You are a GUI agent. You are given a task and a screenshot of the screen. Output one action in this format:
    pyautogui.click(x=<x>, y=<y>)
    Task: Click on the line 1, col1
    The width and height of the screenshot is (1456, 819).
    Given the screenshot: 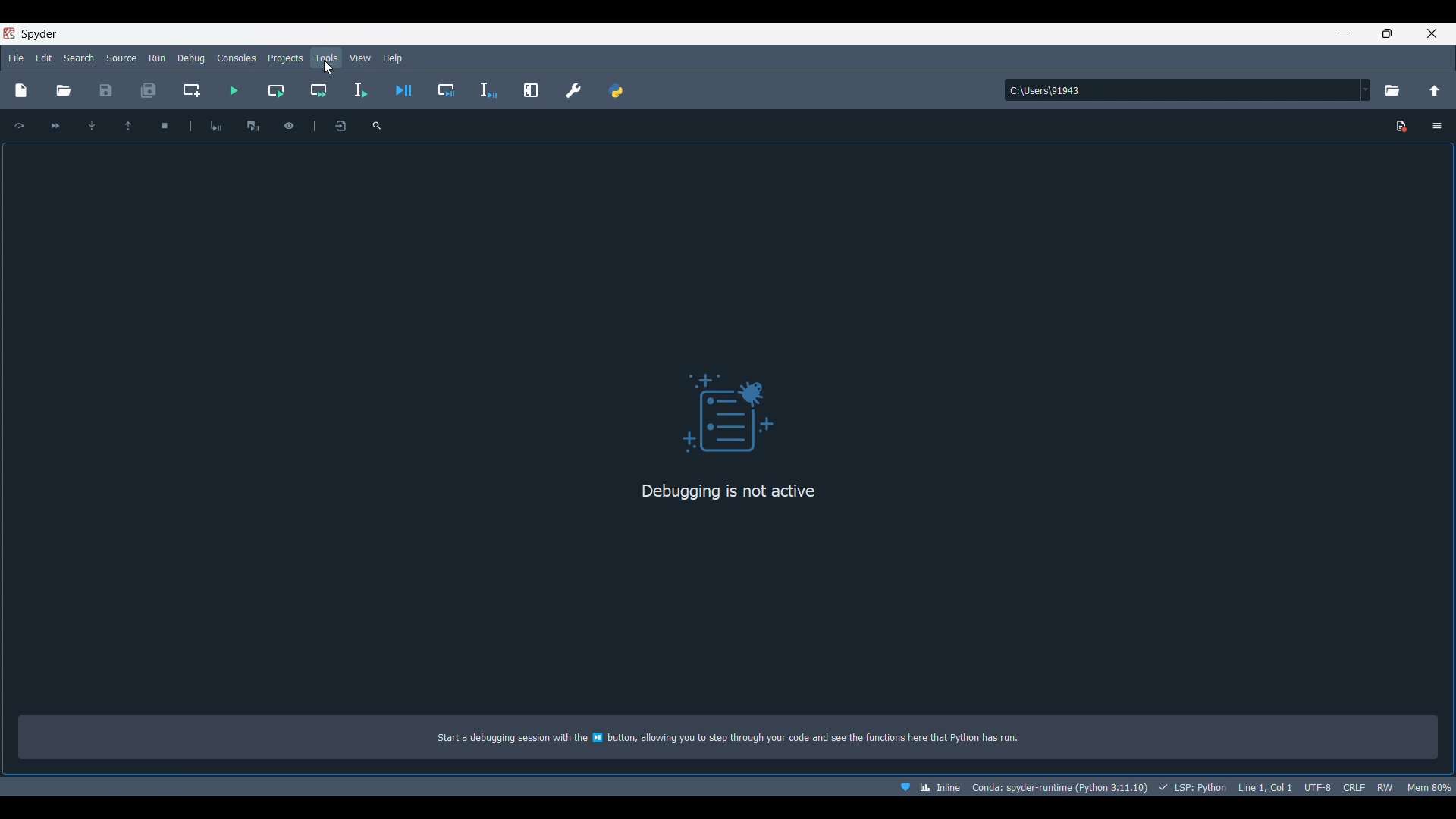 What is the action you would take?
    pyautogui.click(x=1264, y=787)
    